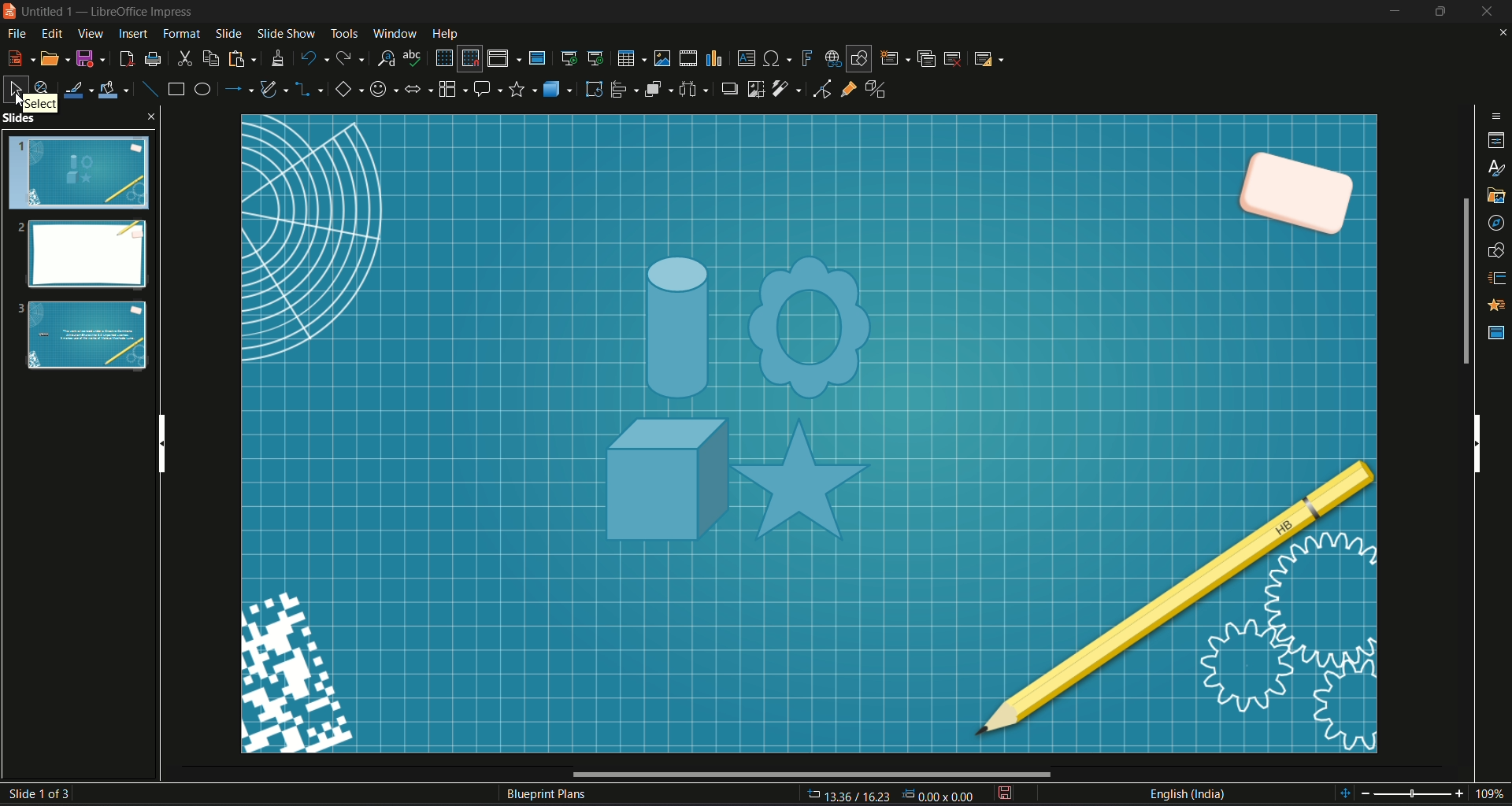  Describe the element at coordinates (77, 90) in the screenshot. I see `line color` at that location.